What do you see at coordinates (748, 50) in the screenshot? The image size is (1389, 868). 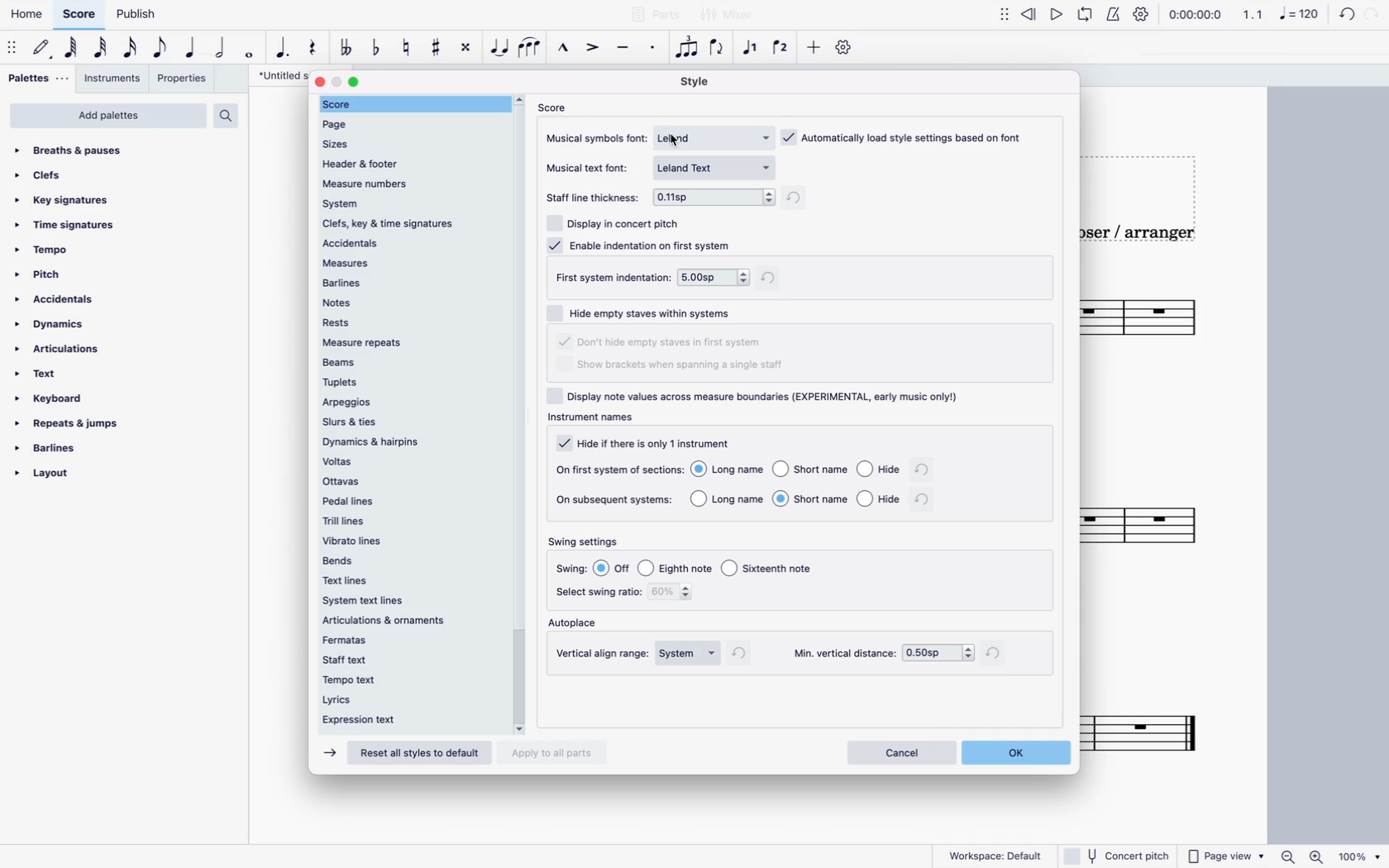 I see `voice 1` at bounding box center [748, 50].